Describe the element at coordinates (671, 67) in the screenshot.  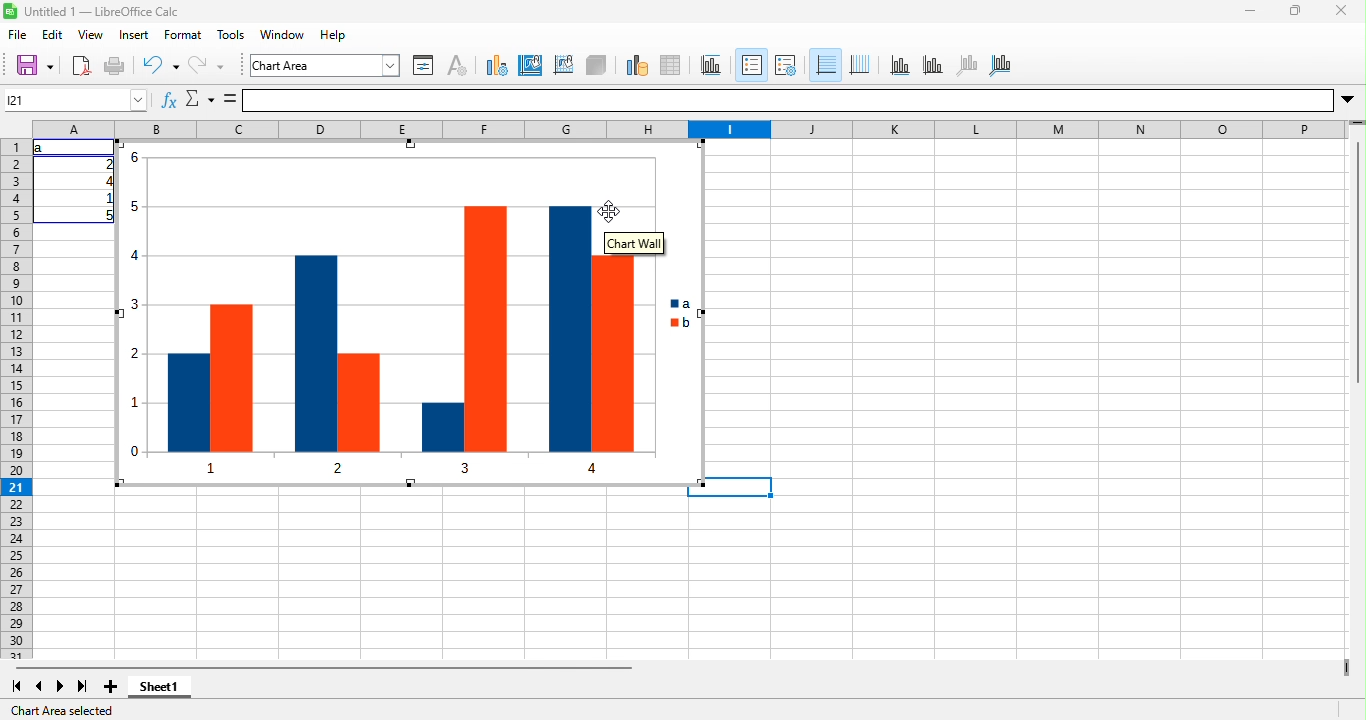
I see `data table` at that location.